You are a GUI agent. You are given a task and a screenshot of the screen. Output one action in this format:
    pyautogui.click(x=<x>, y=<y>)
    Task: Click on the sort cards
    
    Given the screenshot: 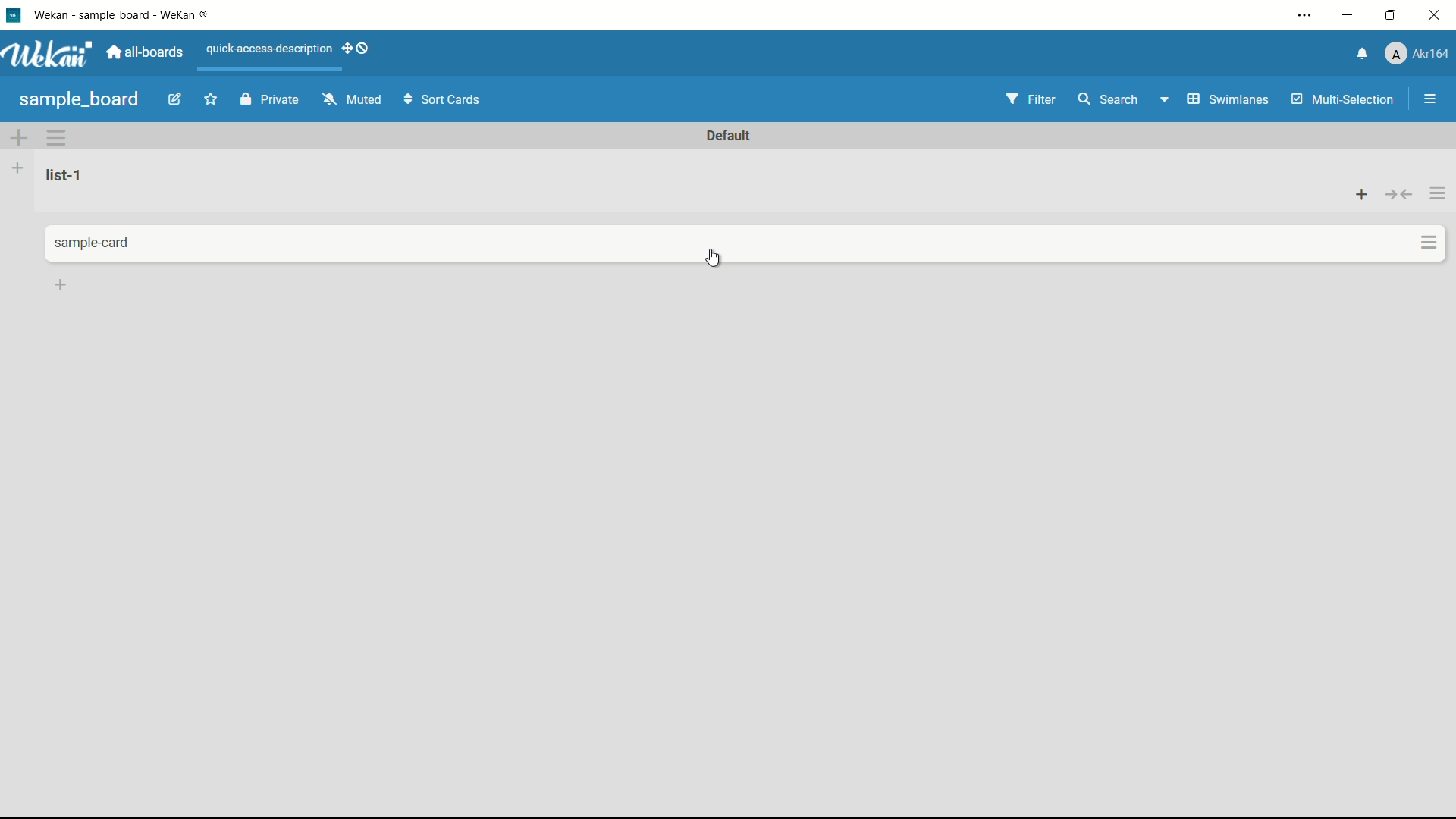 What is the action you would take?
    pyautogui.click(x=444, y=101)
    